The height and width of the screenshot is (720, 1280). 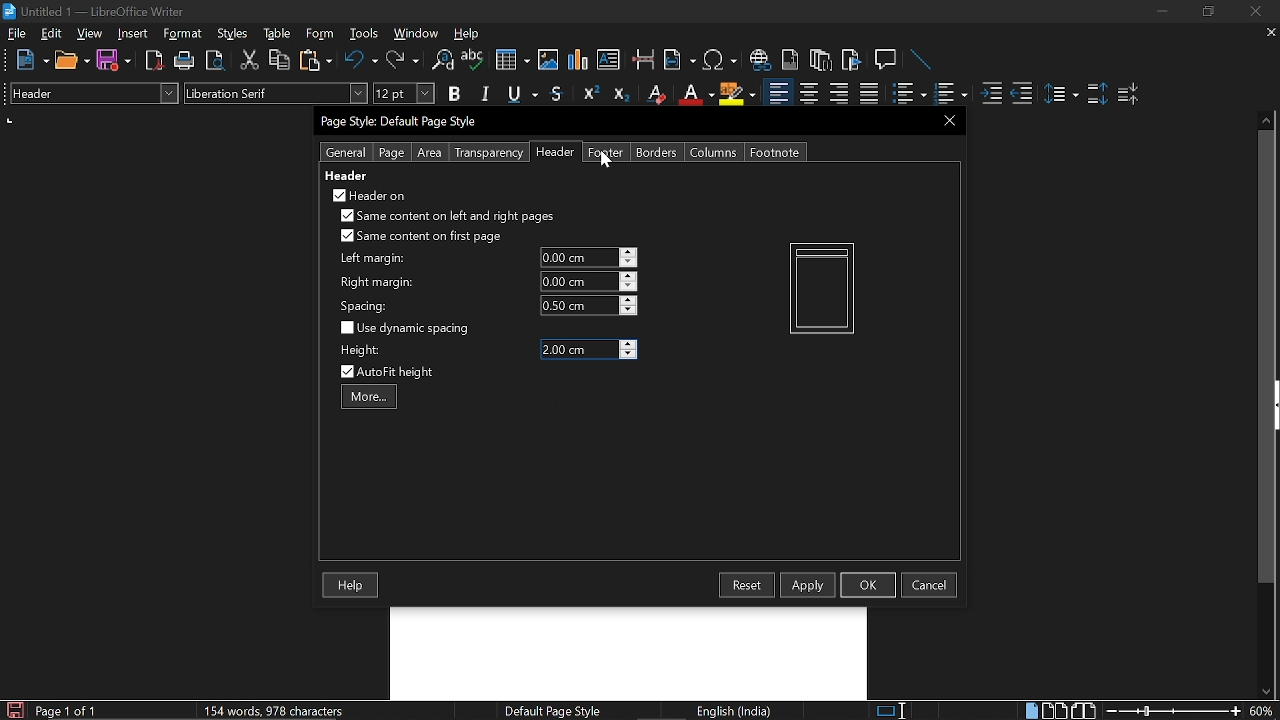 What do you see at coordinates (1022, 93) in the screenshot?
I see `Decrease indent` at bounding box center [1022, 93].